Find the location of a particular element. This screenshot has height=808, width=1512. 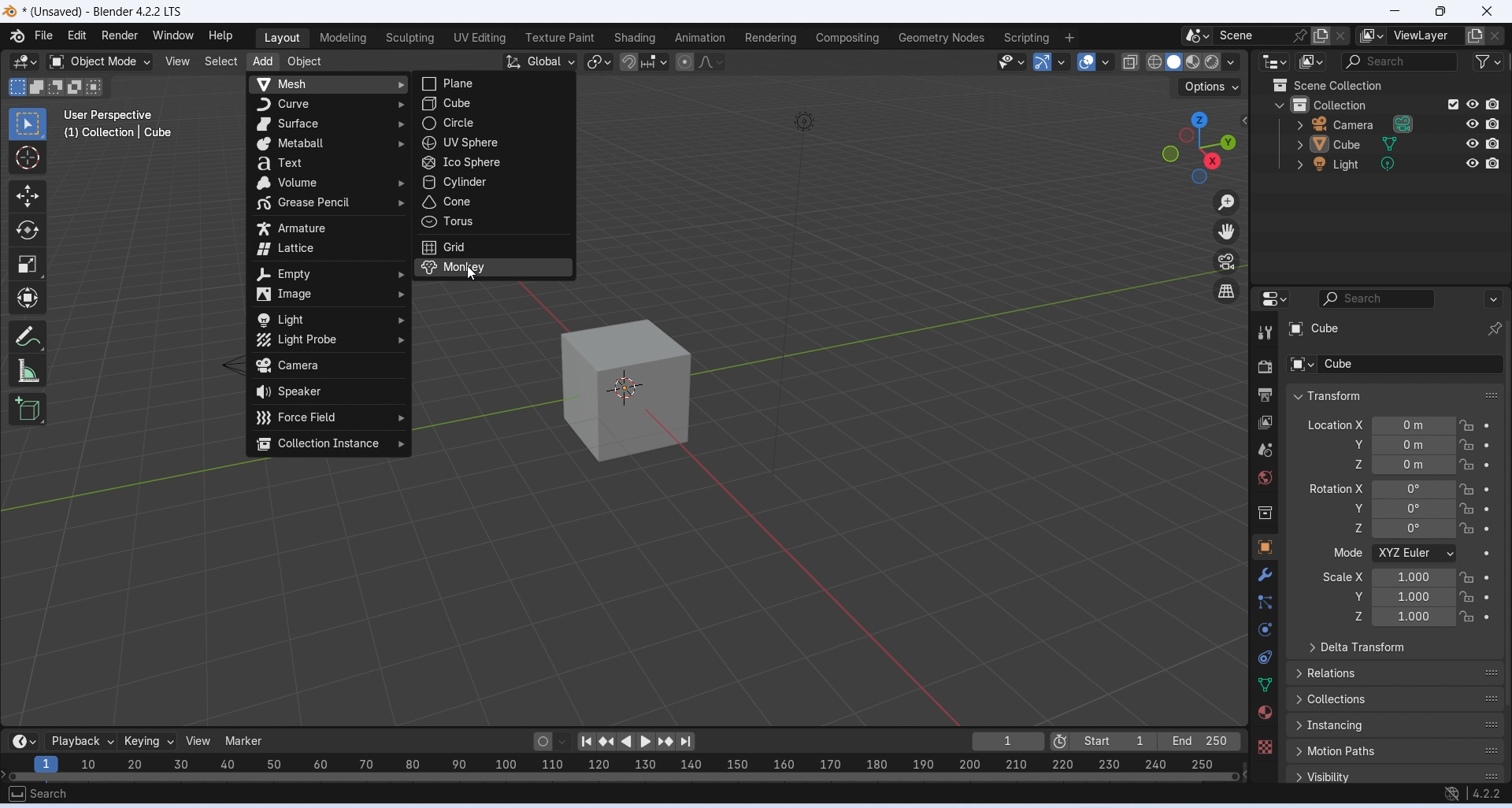

lock location is located at coordinates (1467, 596).